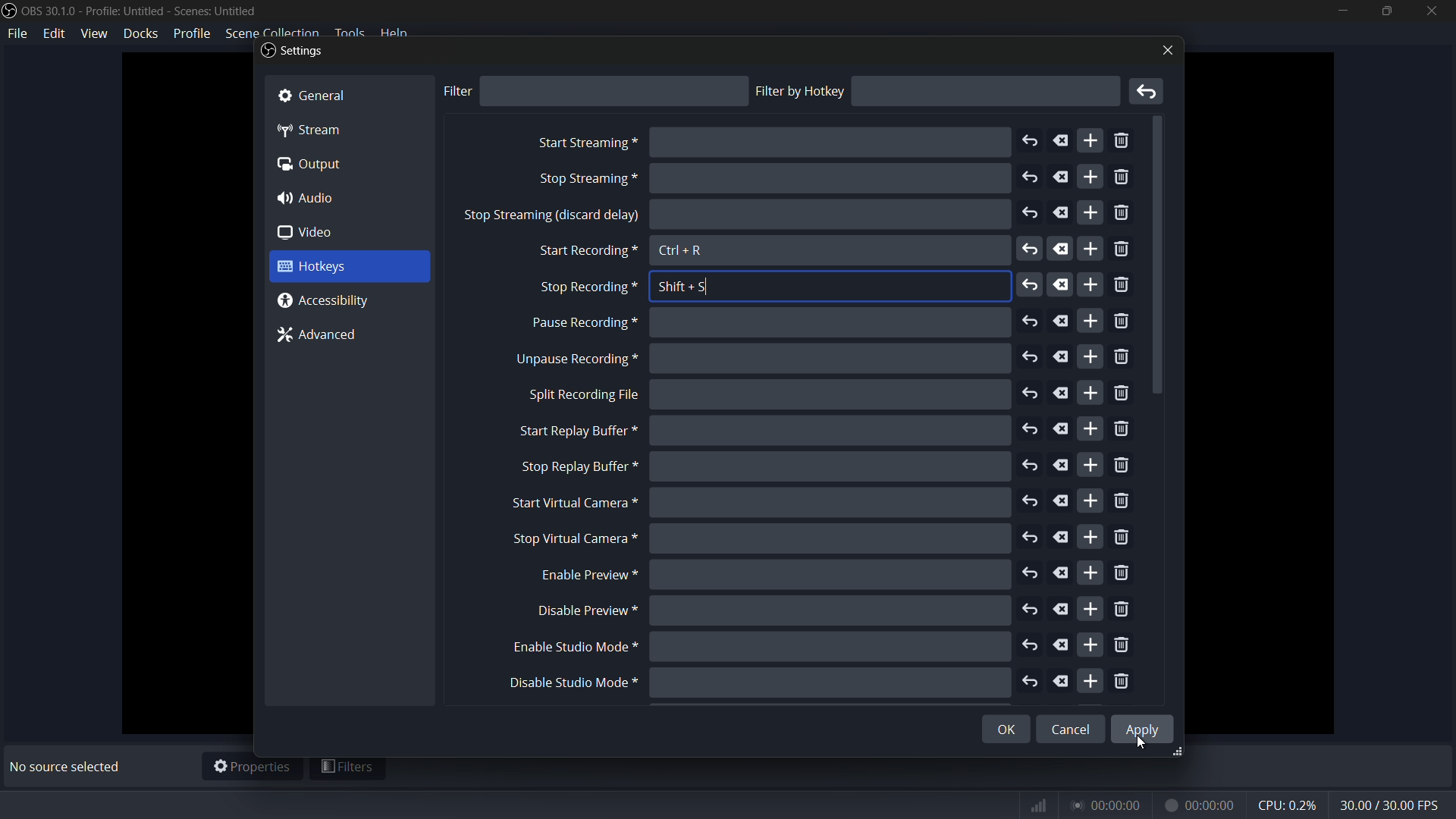 The width and height of the screenshot is (1456, 819). What do you see at coordinates (1061, 140) in the screenshot?
I see `delete` at bounding box center [1061, 140].